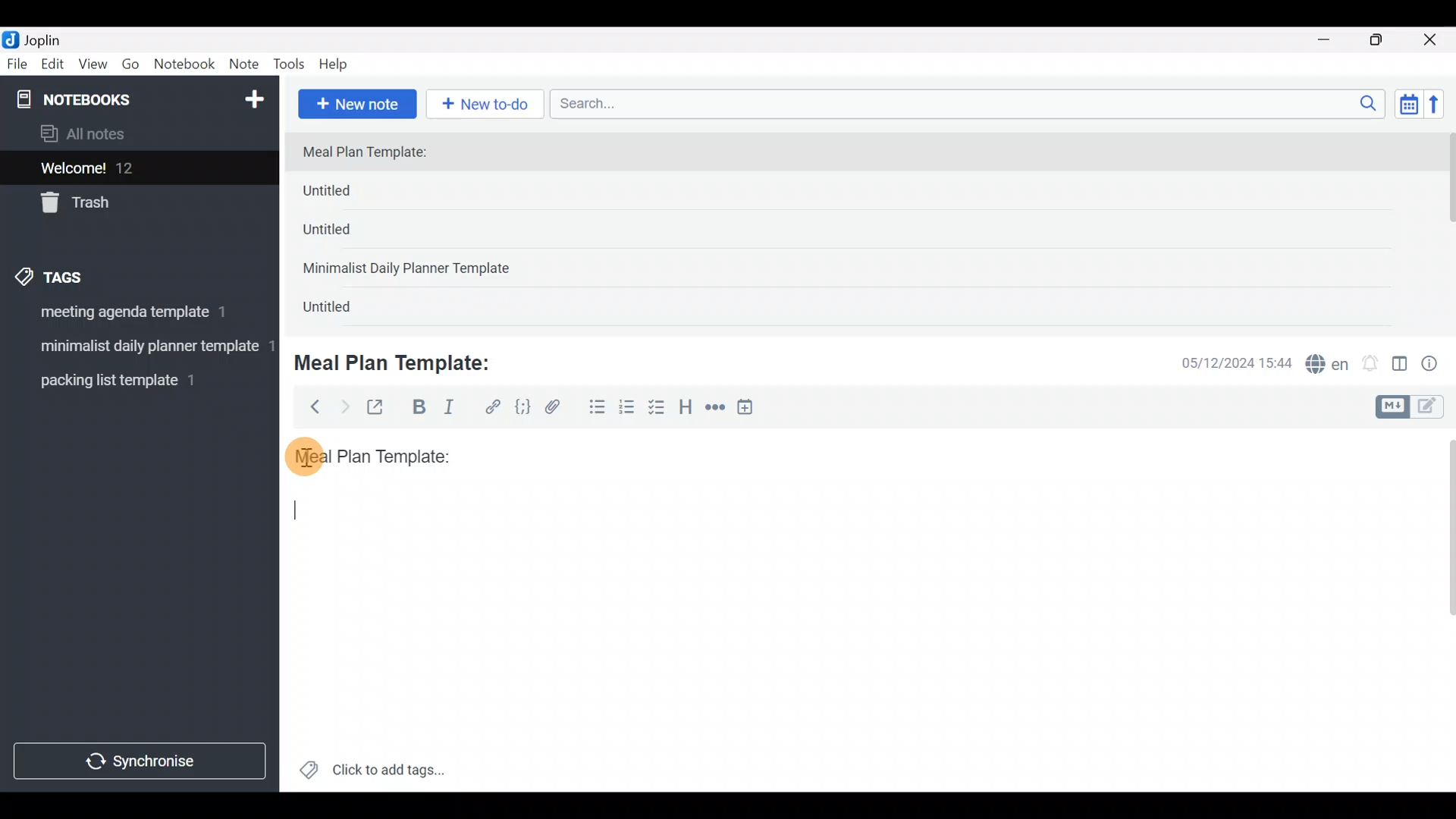 The width and height of the screenshot is (1456, 819). I want to click on New to-do, so click(488, 105).